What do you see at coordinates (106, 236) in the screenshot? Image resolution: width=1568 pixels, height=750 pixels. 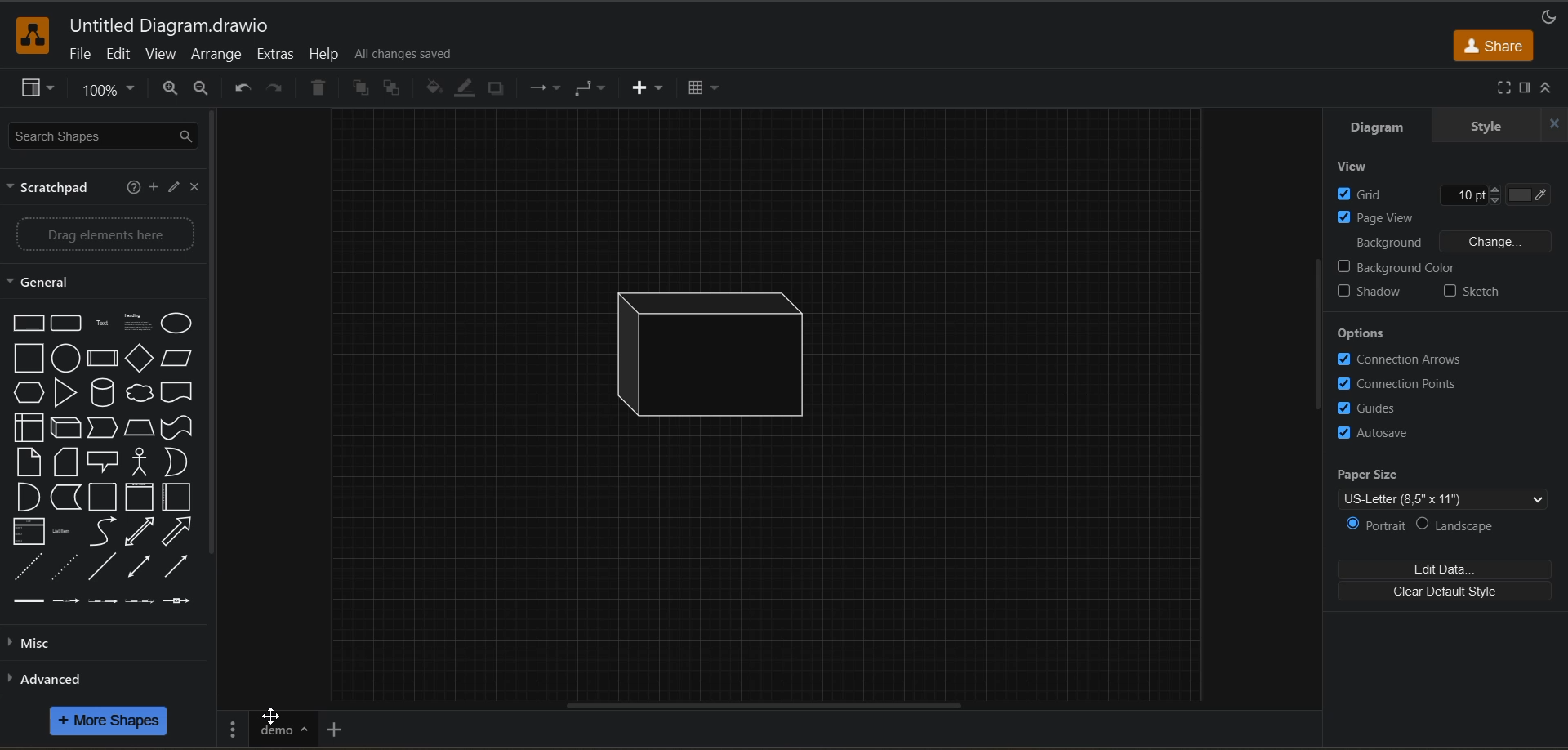 I see `Drag elements here` at bounding box center [106, 236].